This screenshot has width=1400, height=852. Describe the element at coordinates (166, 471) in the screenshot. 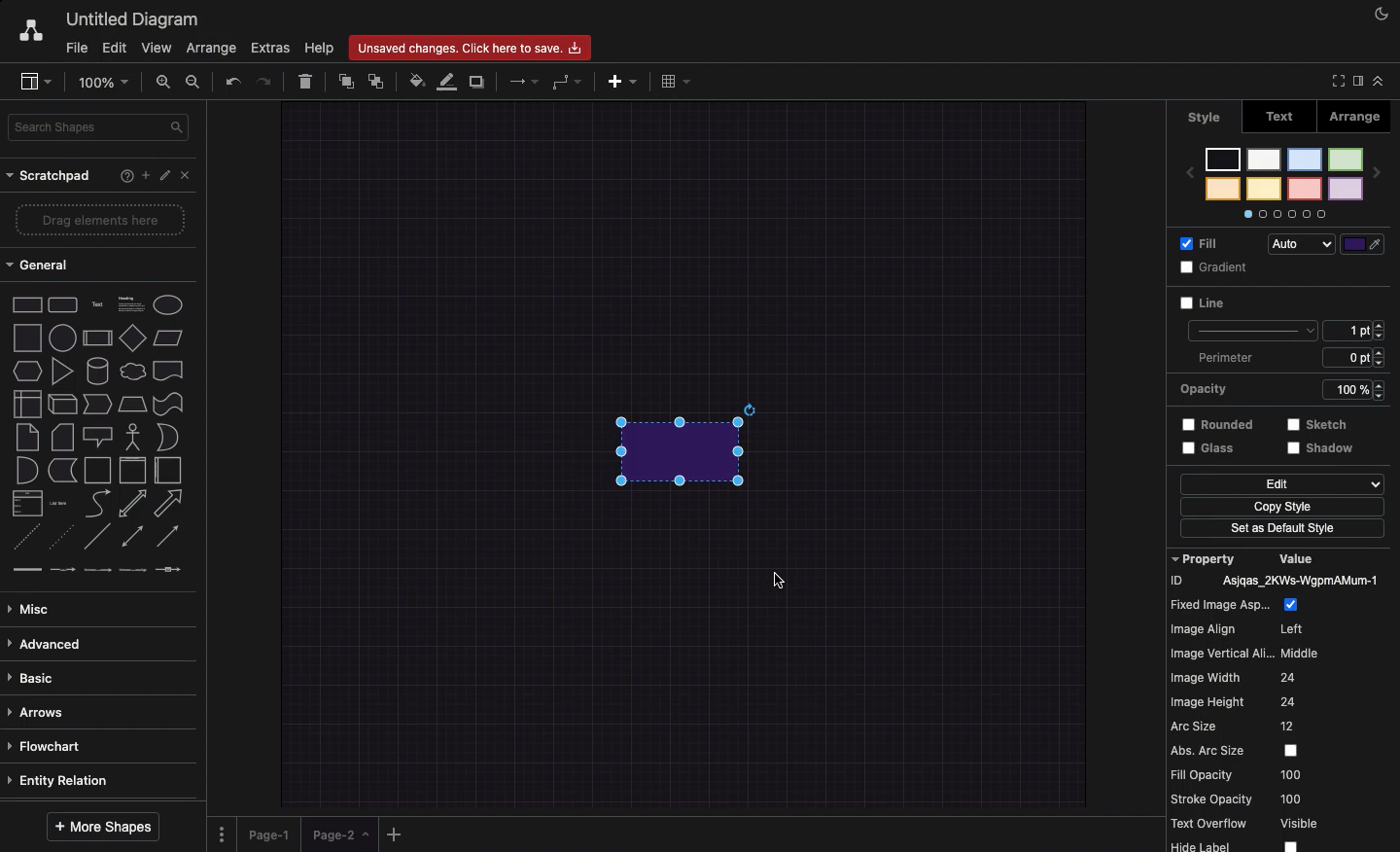

I see `horizontal container` at that location.